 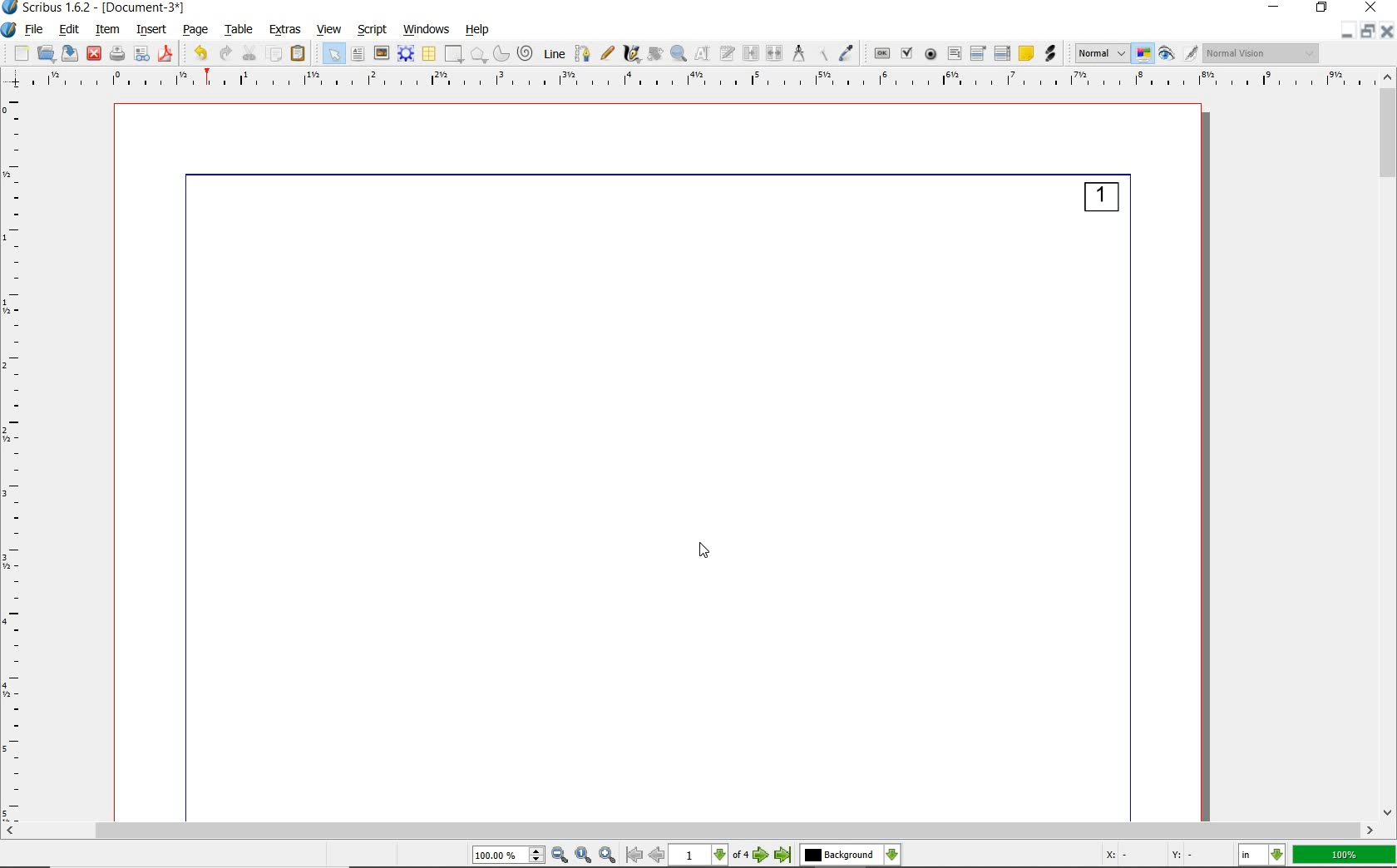 I want to click on edit contents of frame, so click(x=700, y=54).